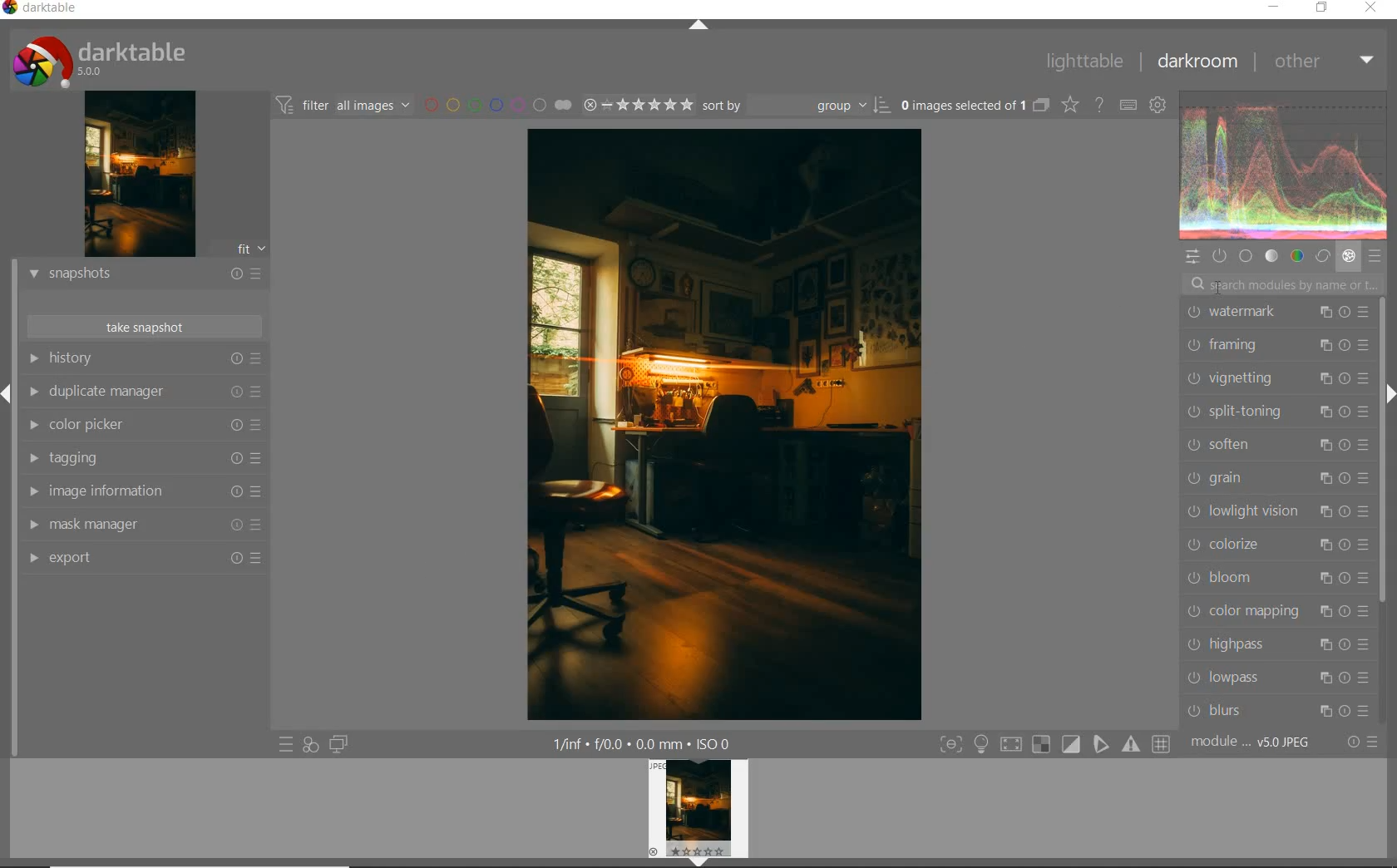 This screenshot has height=868, width=1397. Describe the element at coordinates (143, 491) in the screenshot. I see `image information` at that location.